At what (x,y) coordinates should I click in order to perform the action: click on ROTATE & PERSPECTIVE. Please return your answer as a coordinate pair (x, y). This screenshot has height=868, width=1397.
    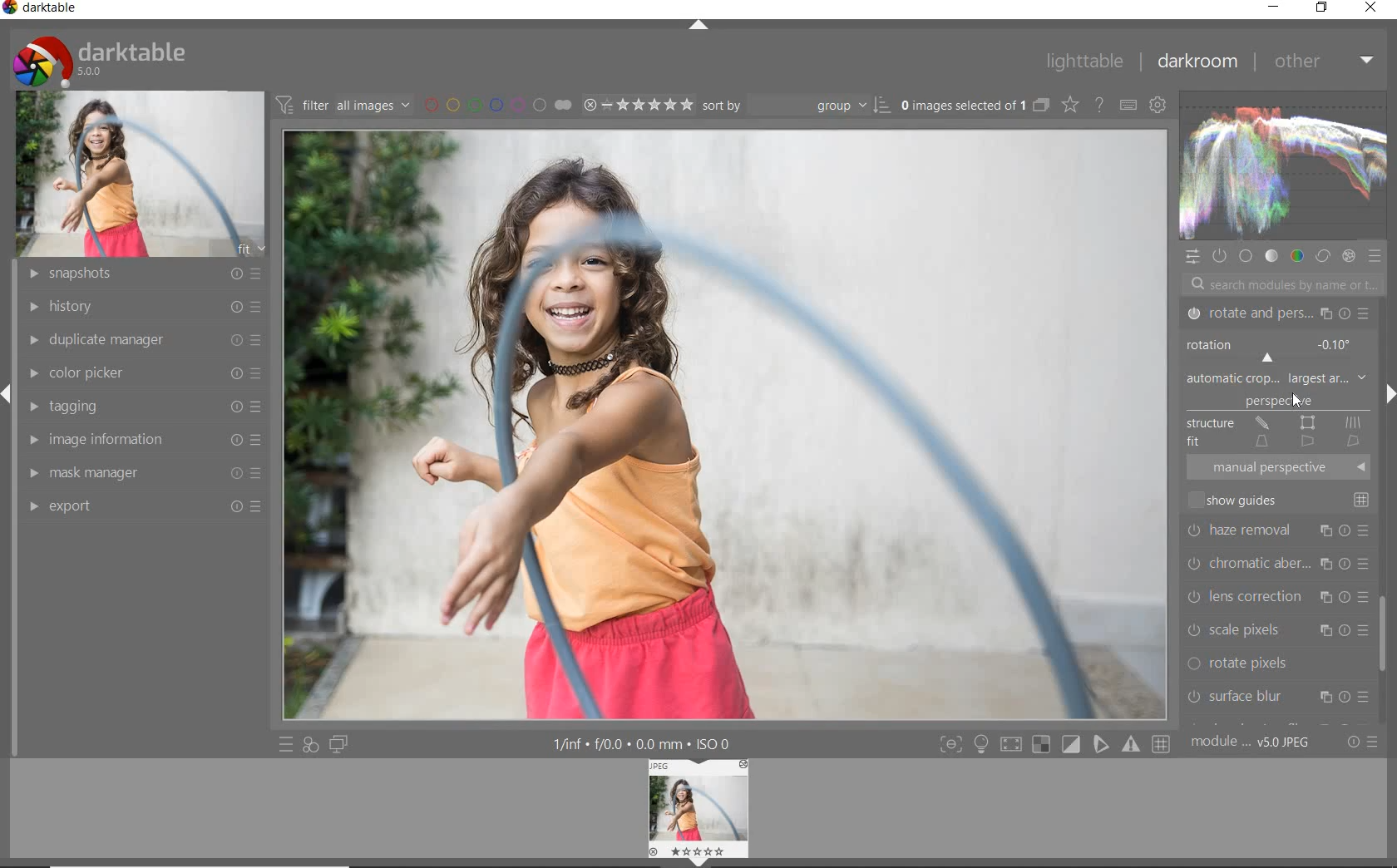
    Looking at the image, I should click on (1276, 314).